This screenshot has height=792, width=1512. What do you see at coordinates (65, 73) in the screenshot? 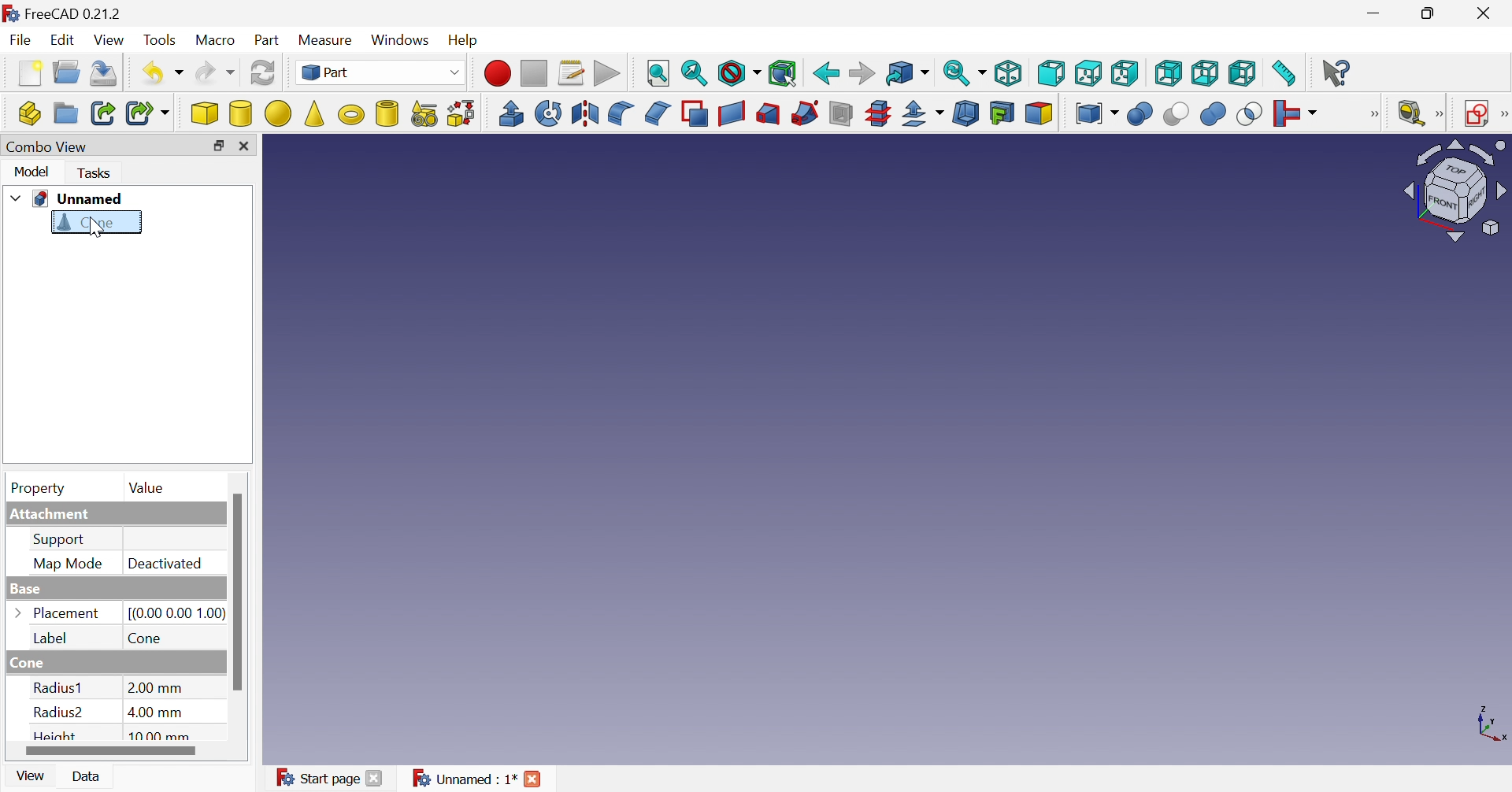
I see `Open` at bounding box center [65, 73].